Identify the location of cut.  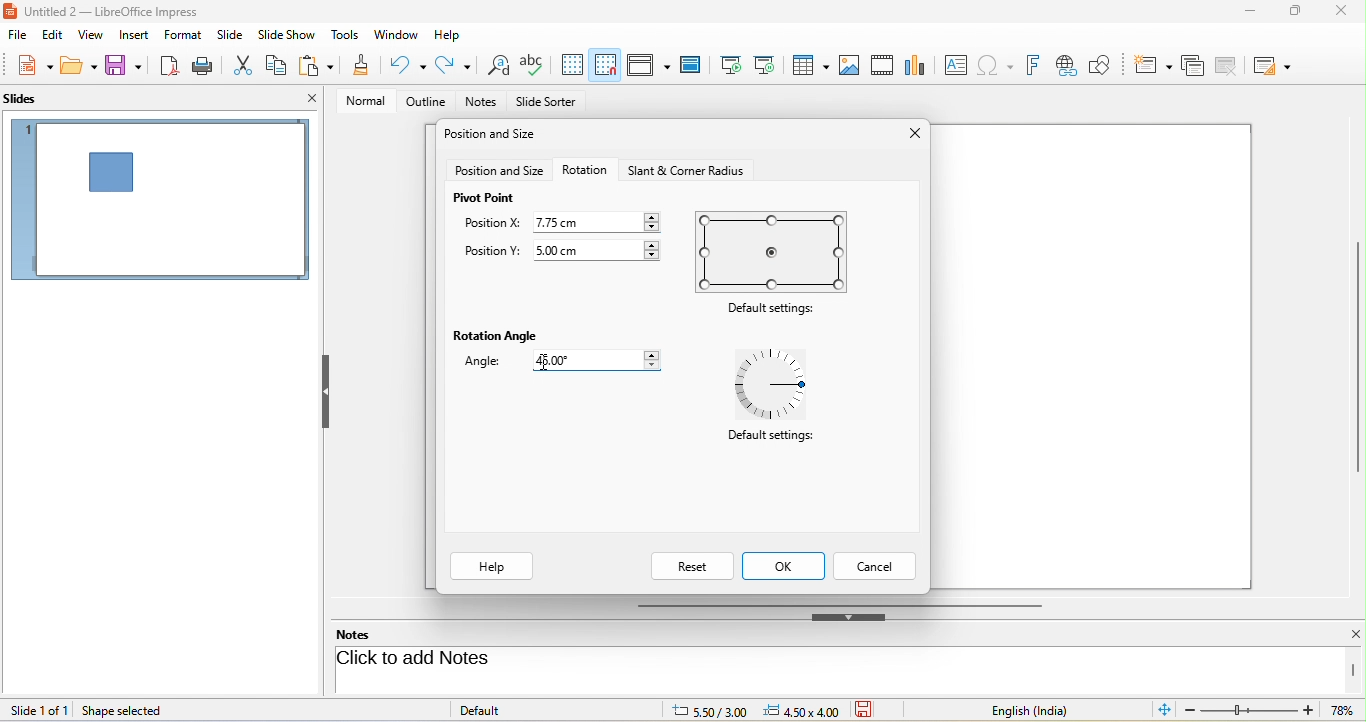
(245, 64).